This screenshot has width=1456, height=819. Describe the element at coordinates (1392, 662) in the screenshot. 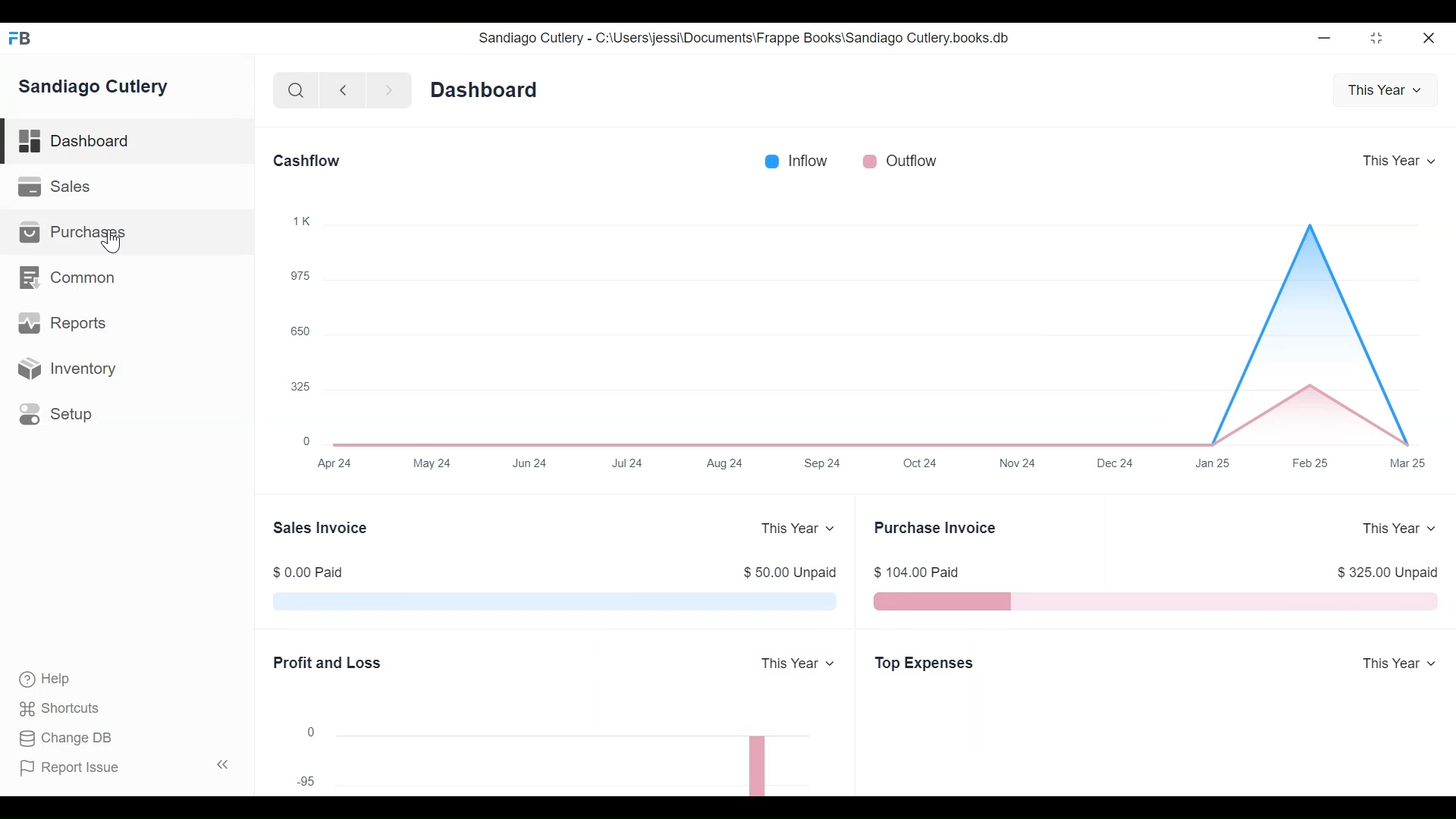

I see `This Year ` at that location.